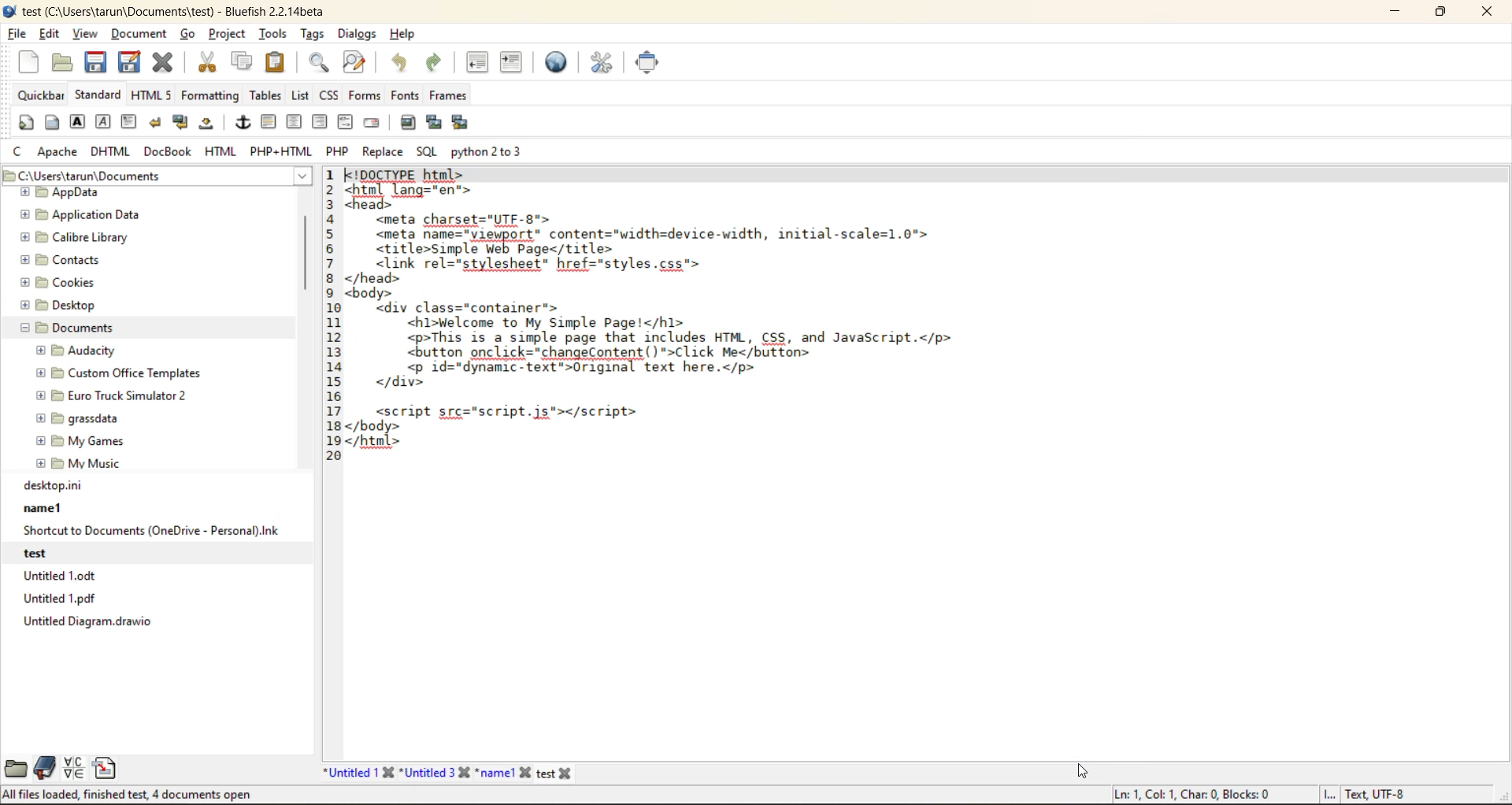 The width and height of the screenshot is (1512, 805). I want to click on name1, so click(153, 507).